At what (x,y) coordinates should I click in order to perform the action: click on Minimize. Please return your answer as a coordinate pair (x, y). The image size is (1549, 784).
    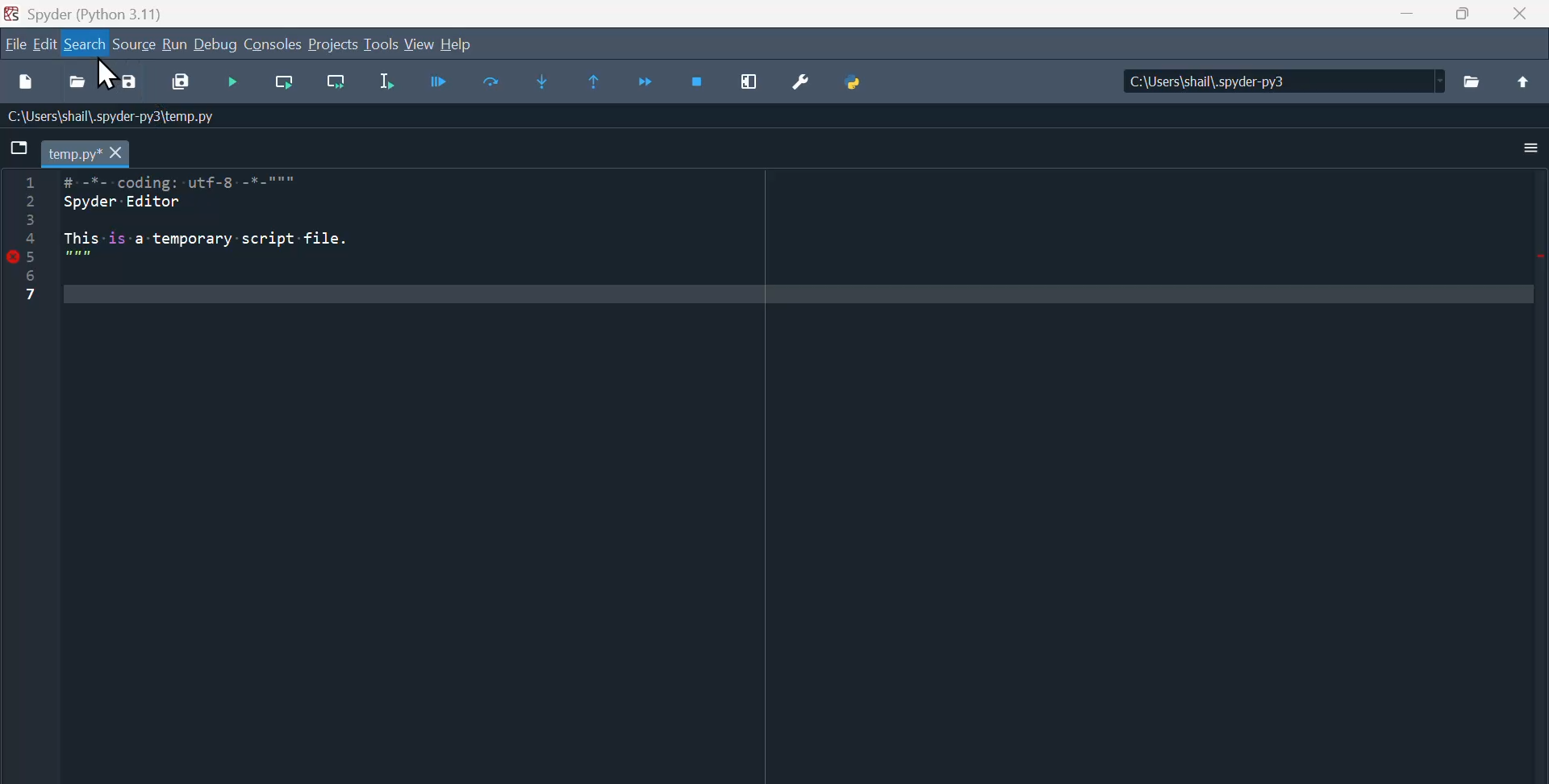
    Looking at the image, I should click on (1411, 15).